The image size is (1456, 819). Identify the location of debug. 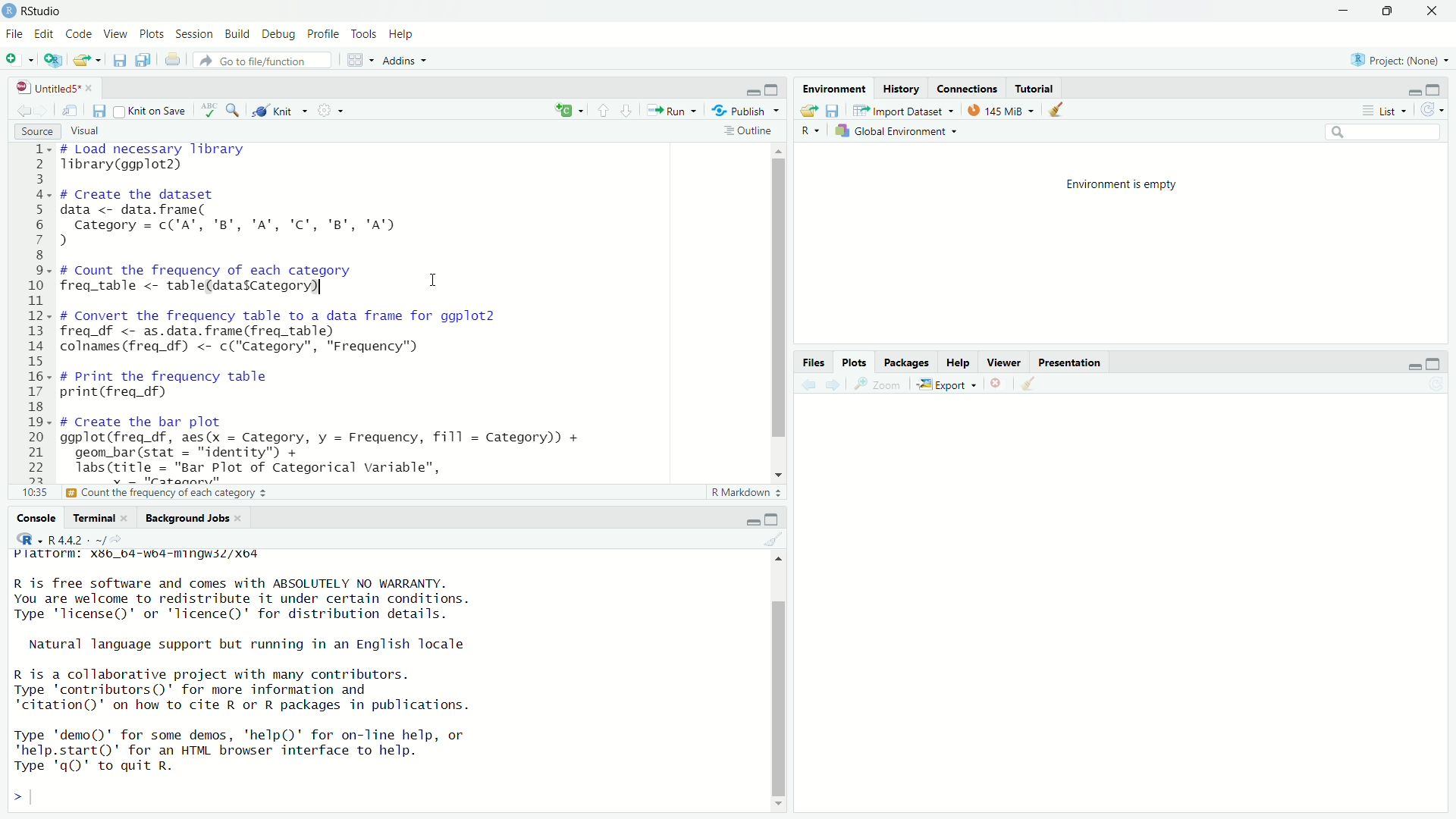
(278, 36).